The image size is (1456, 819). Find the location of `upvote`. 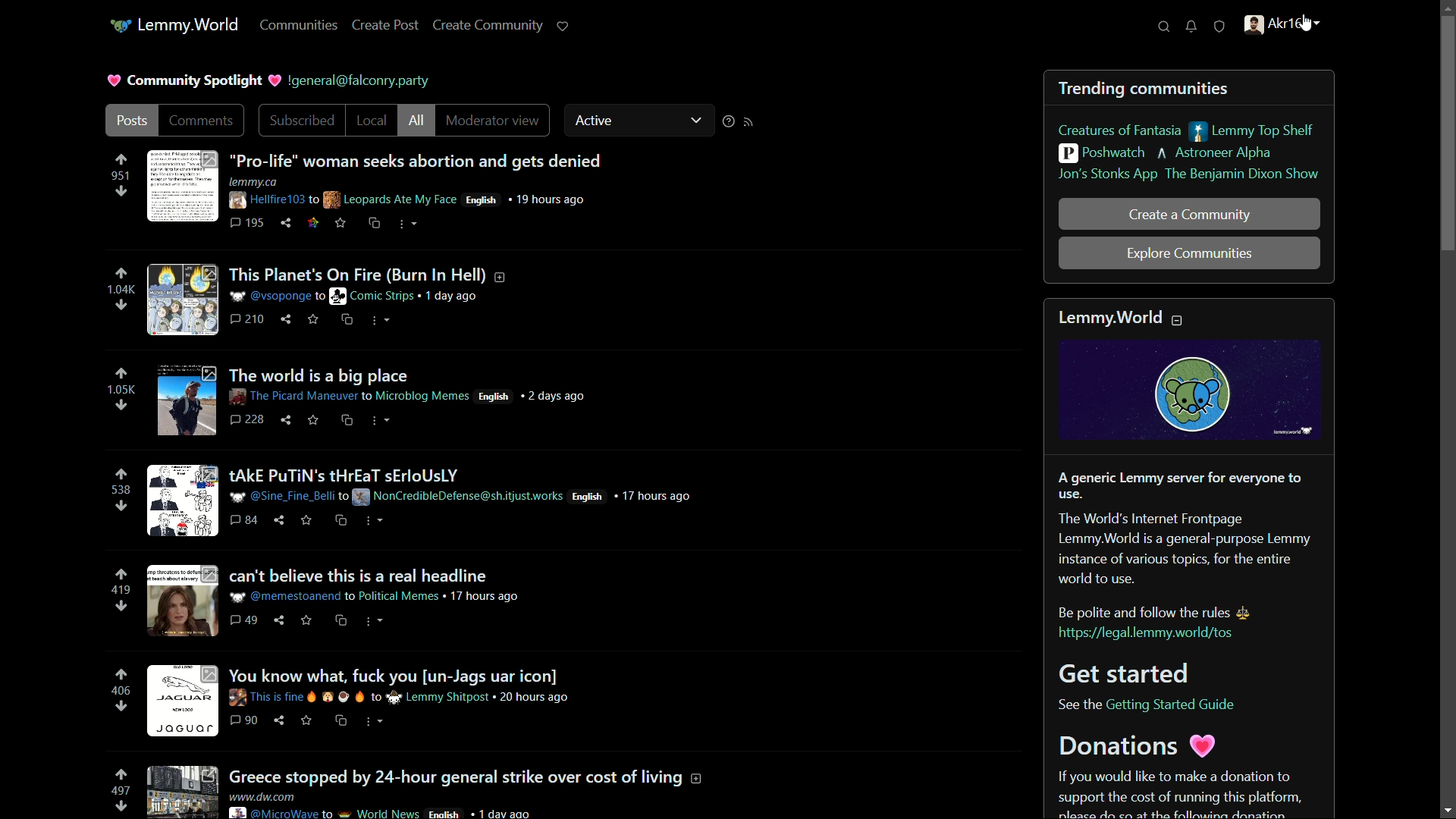

upvote is located at coordinates (121, 274).